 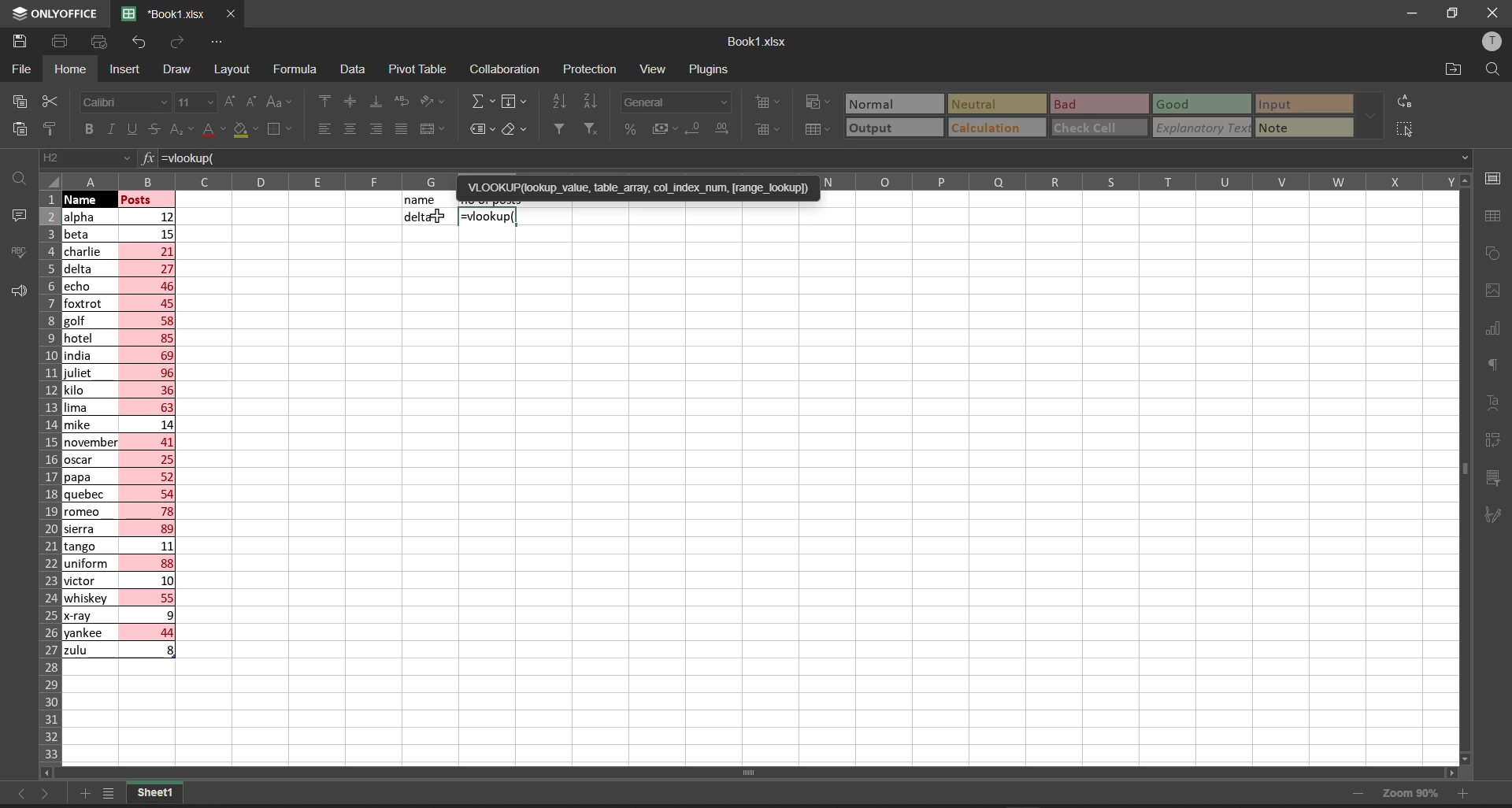 What do you see at coordinates (628, 131) in the screenshot?
I see `percent style` at bounding box center [628, 131].